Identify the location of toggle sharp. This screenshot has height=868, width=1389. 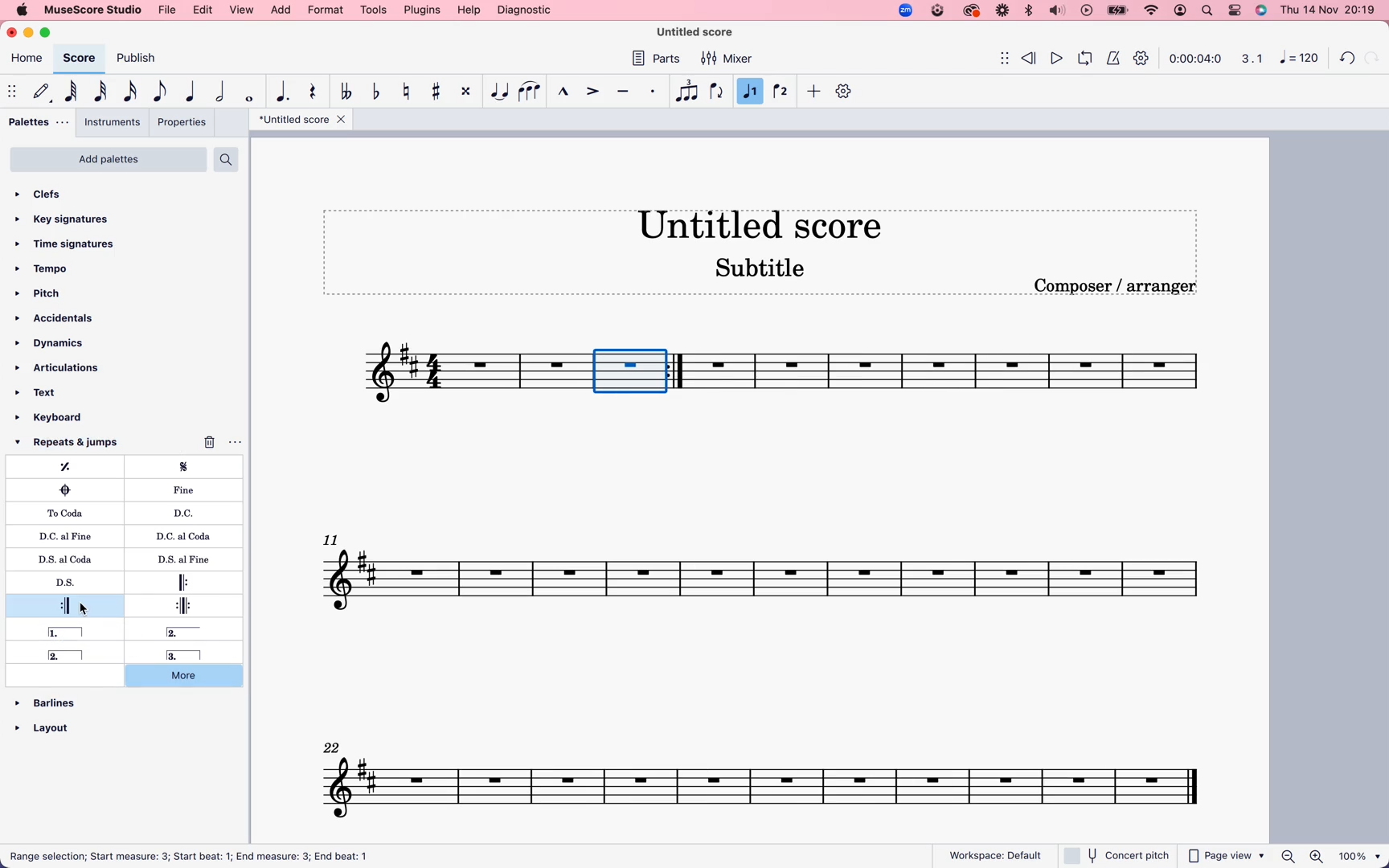
(440, 92).